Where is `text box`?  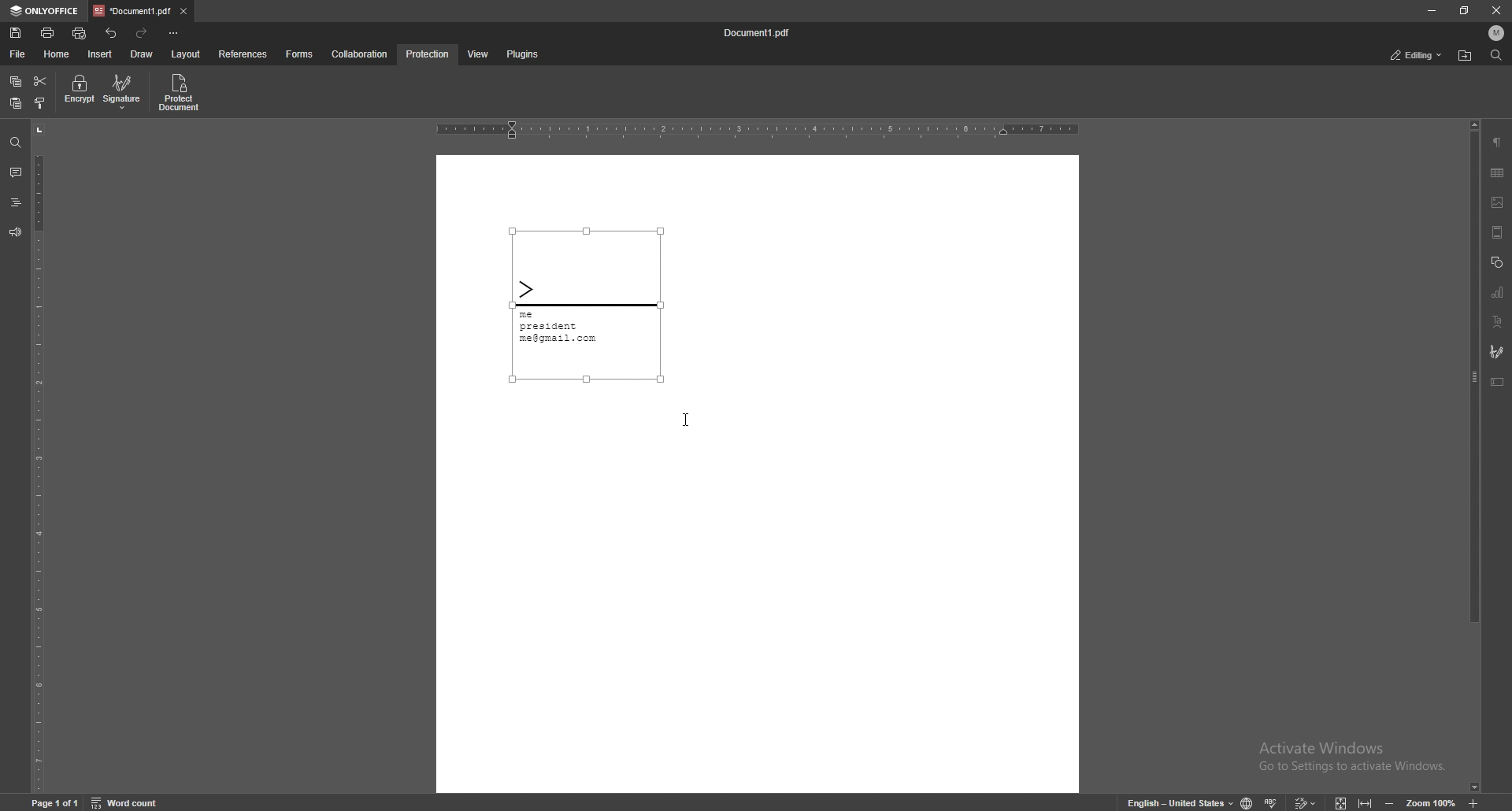
text box is located at coordinates (1497, 382).